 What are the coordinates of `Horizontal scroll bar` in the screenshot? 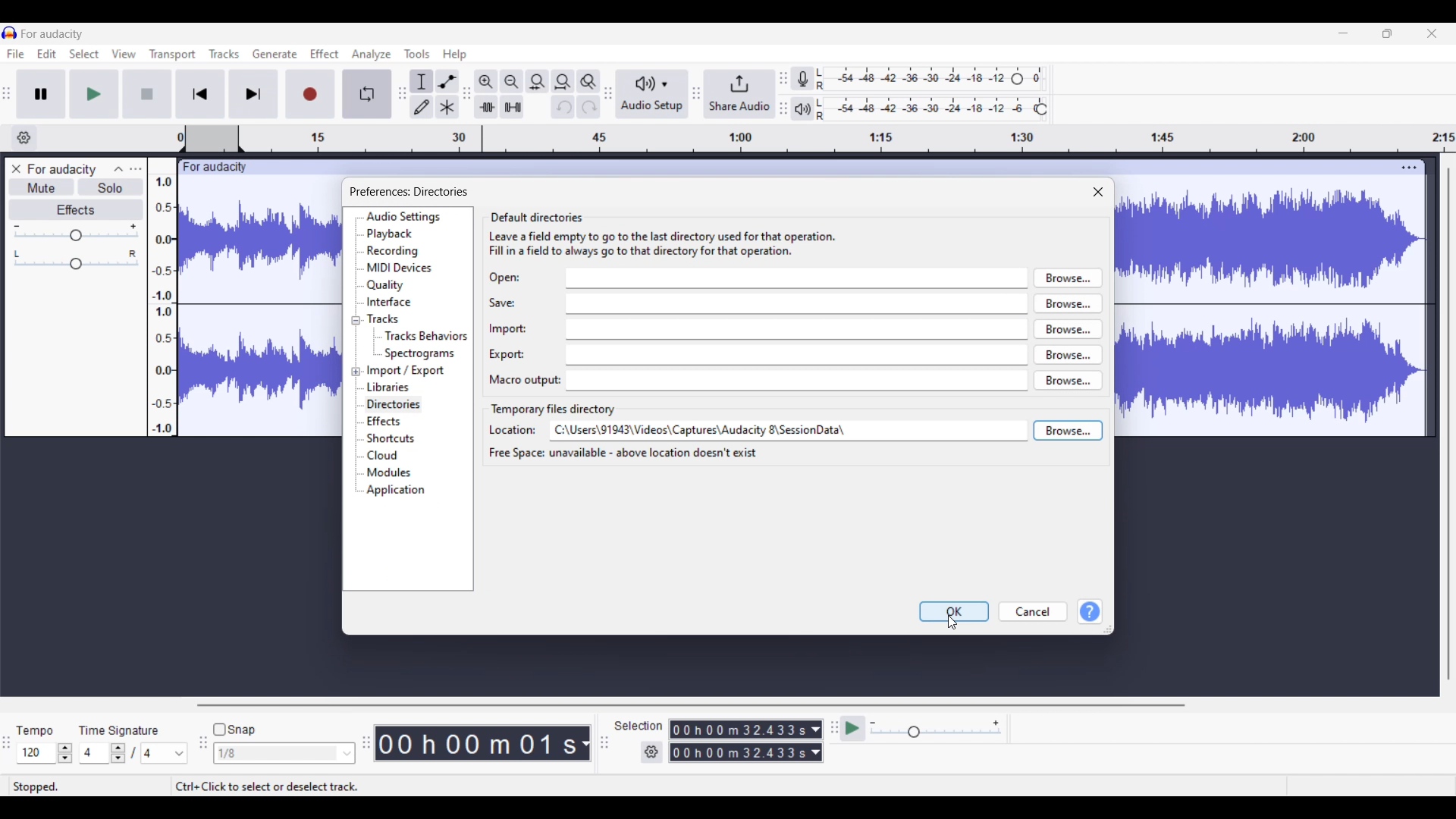 It's located at (689, 705).